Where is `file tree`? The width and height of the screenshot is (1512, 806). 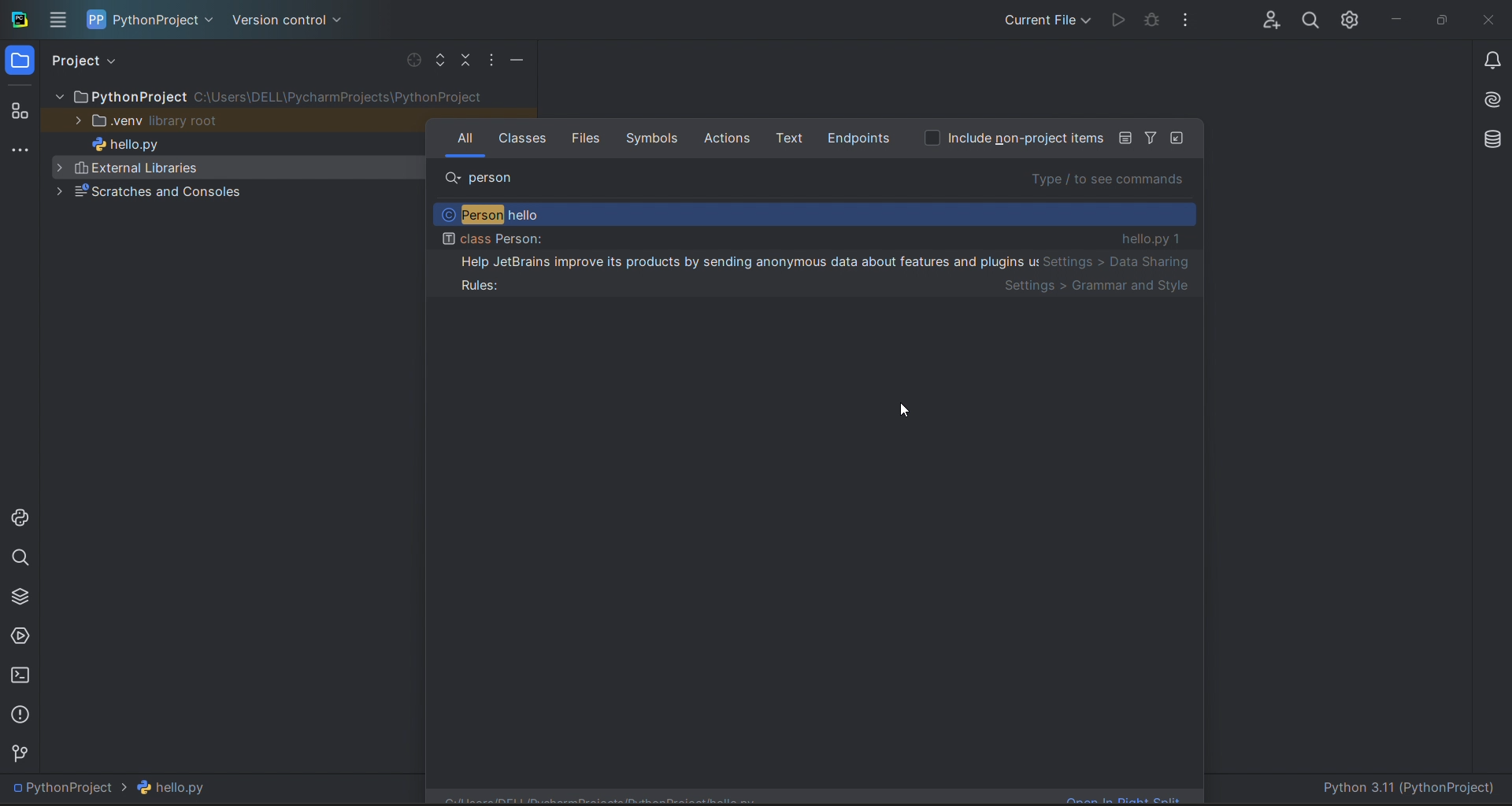 file tree is located at coordinates (288, 94).